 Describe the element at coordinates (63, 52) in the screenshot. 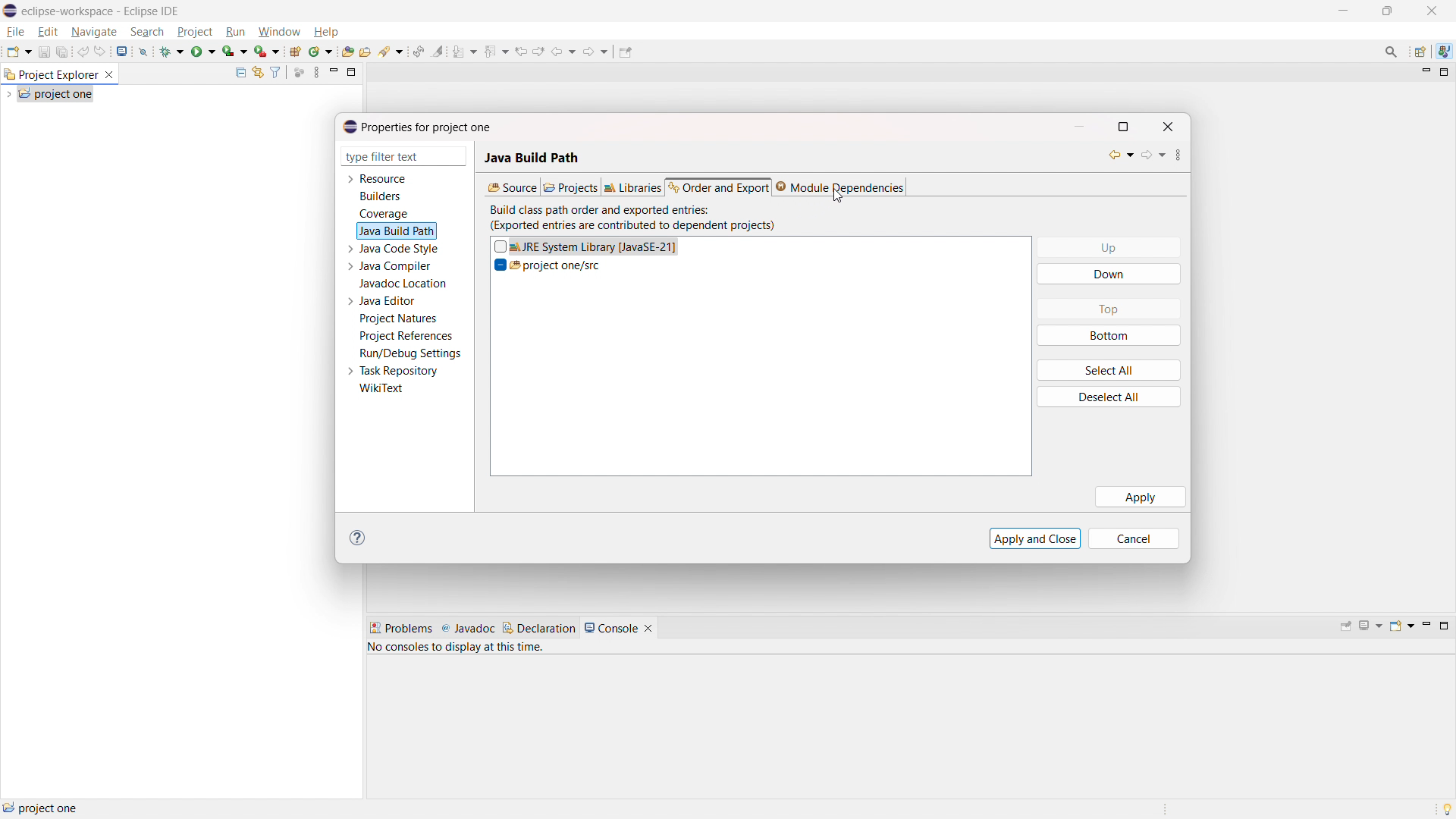

I see `save all` at that location.